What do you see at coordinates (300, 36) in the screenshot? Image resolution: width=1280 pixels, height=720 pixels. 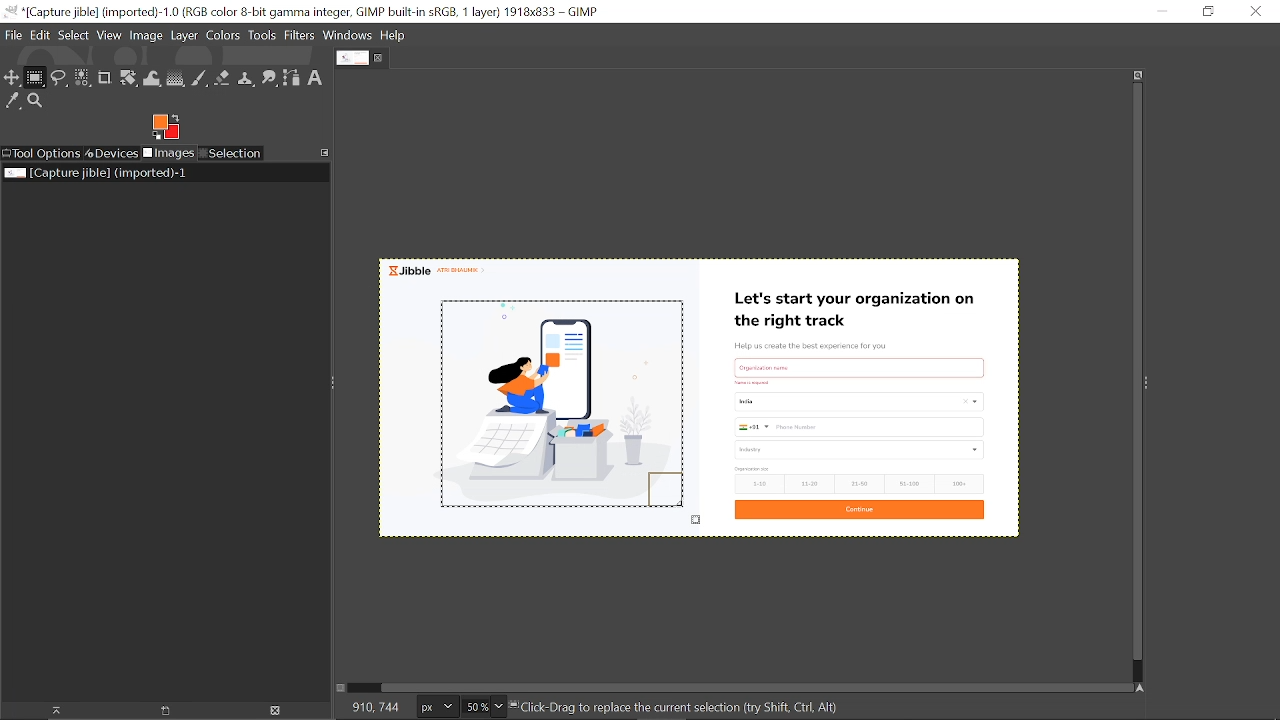 I see `Filters` at bounding box center [300, 36].